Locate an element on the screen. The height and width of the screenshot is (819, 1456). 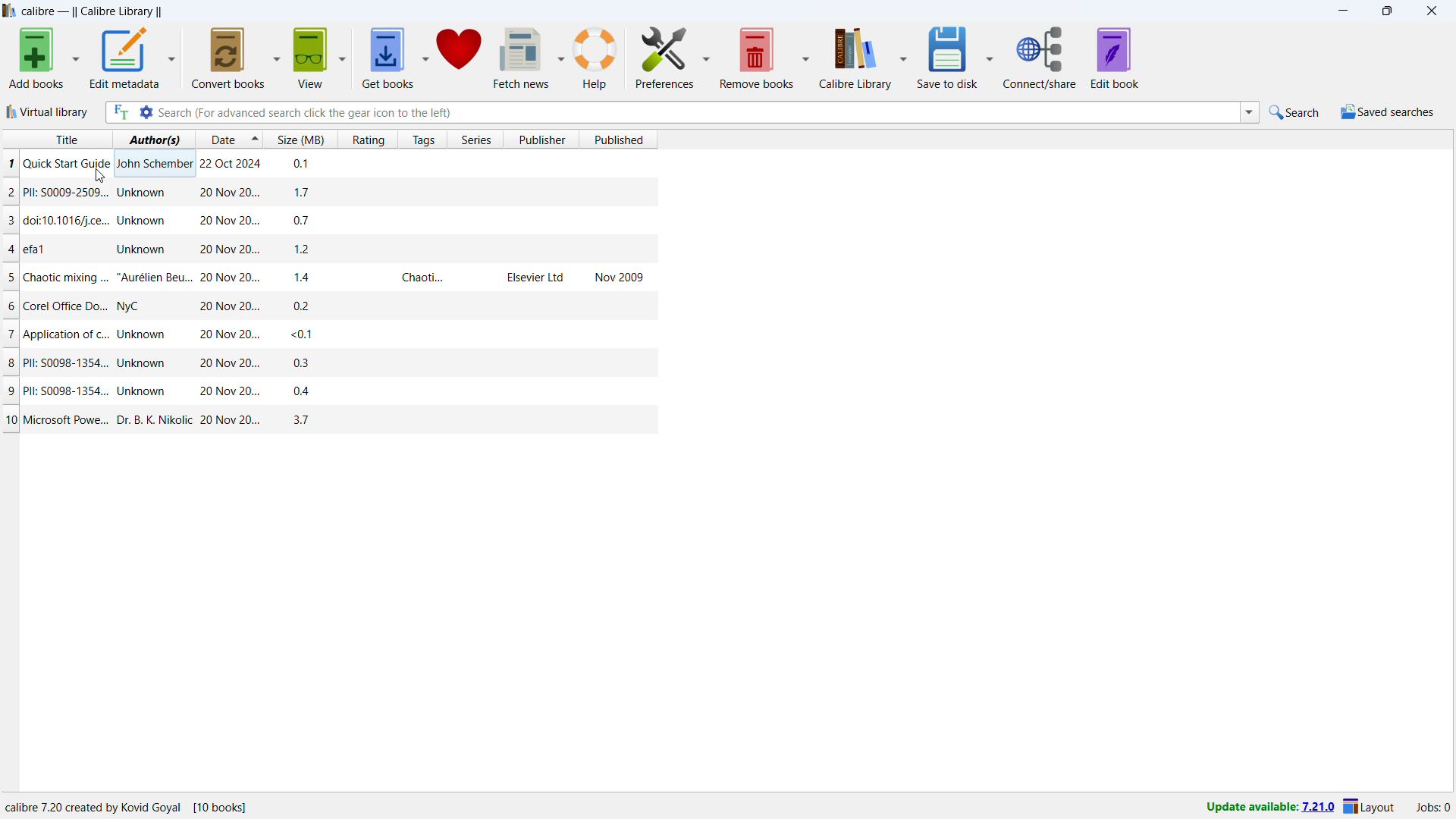
sort by title is located at coordinates (58, 138).